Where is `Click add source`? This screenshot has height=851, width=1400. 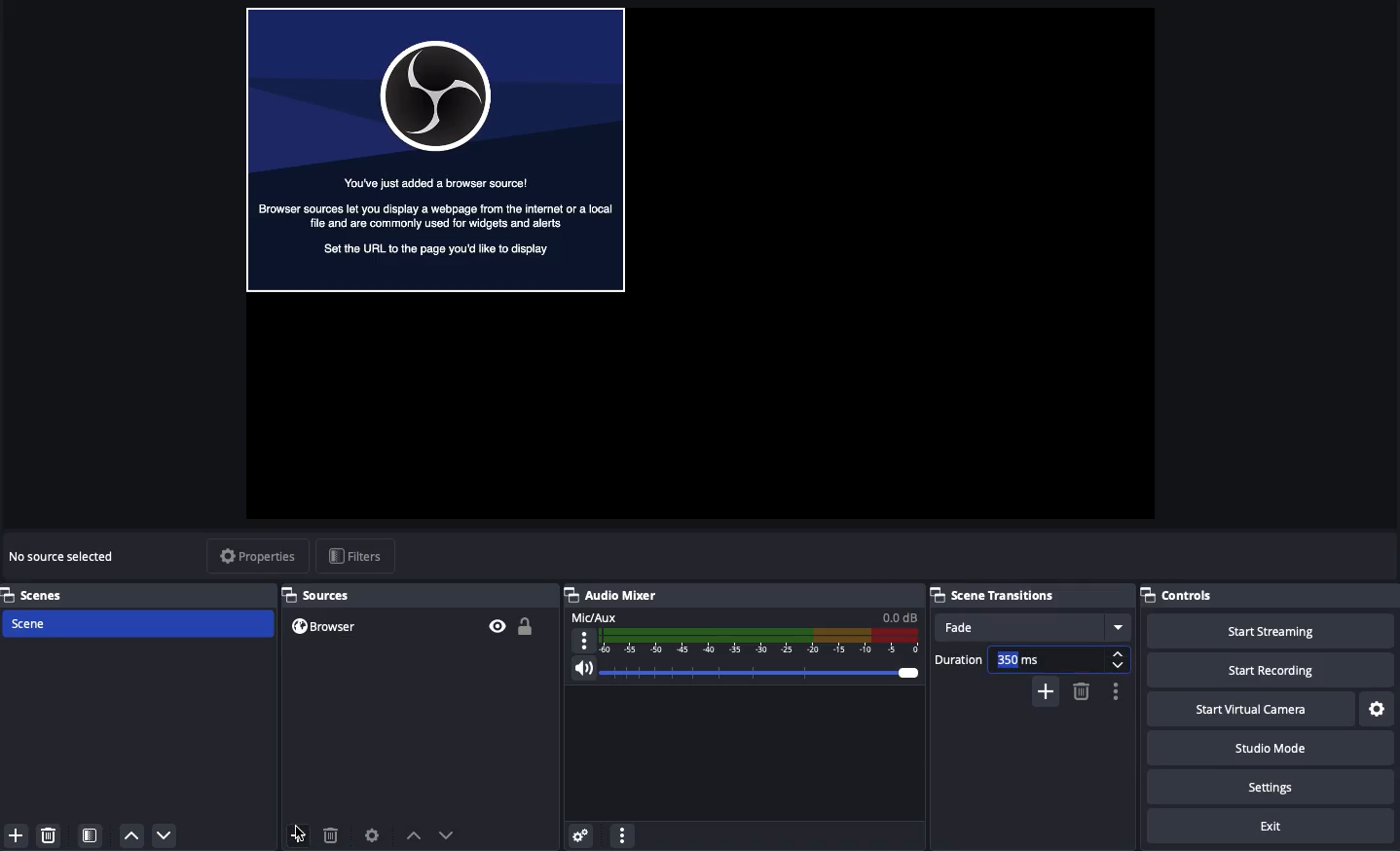
Click add source is located at coordinates (301, 834).